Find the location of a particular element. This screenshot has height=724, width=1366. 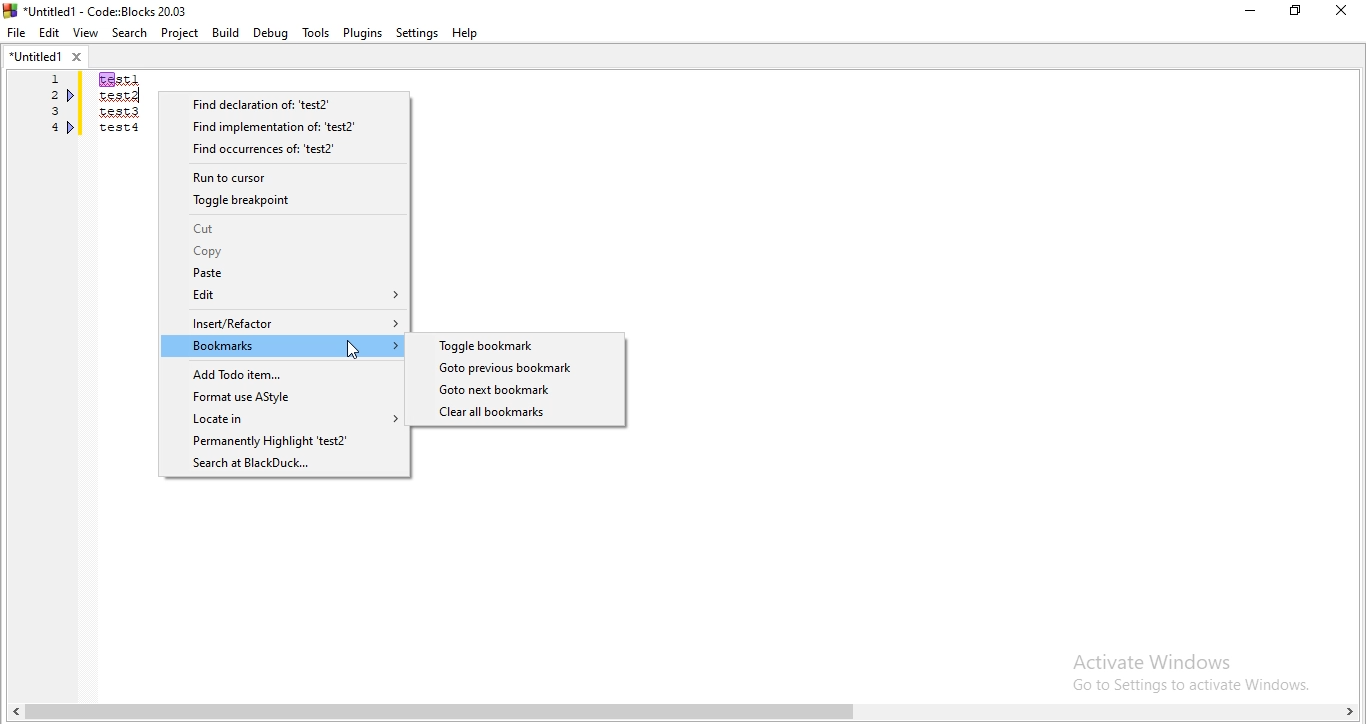

Cursor on Bookmark is located at coordinates (352, 349).